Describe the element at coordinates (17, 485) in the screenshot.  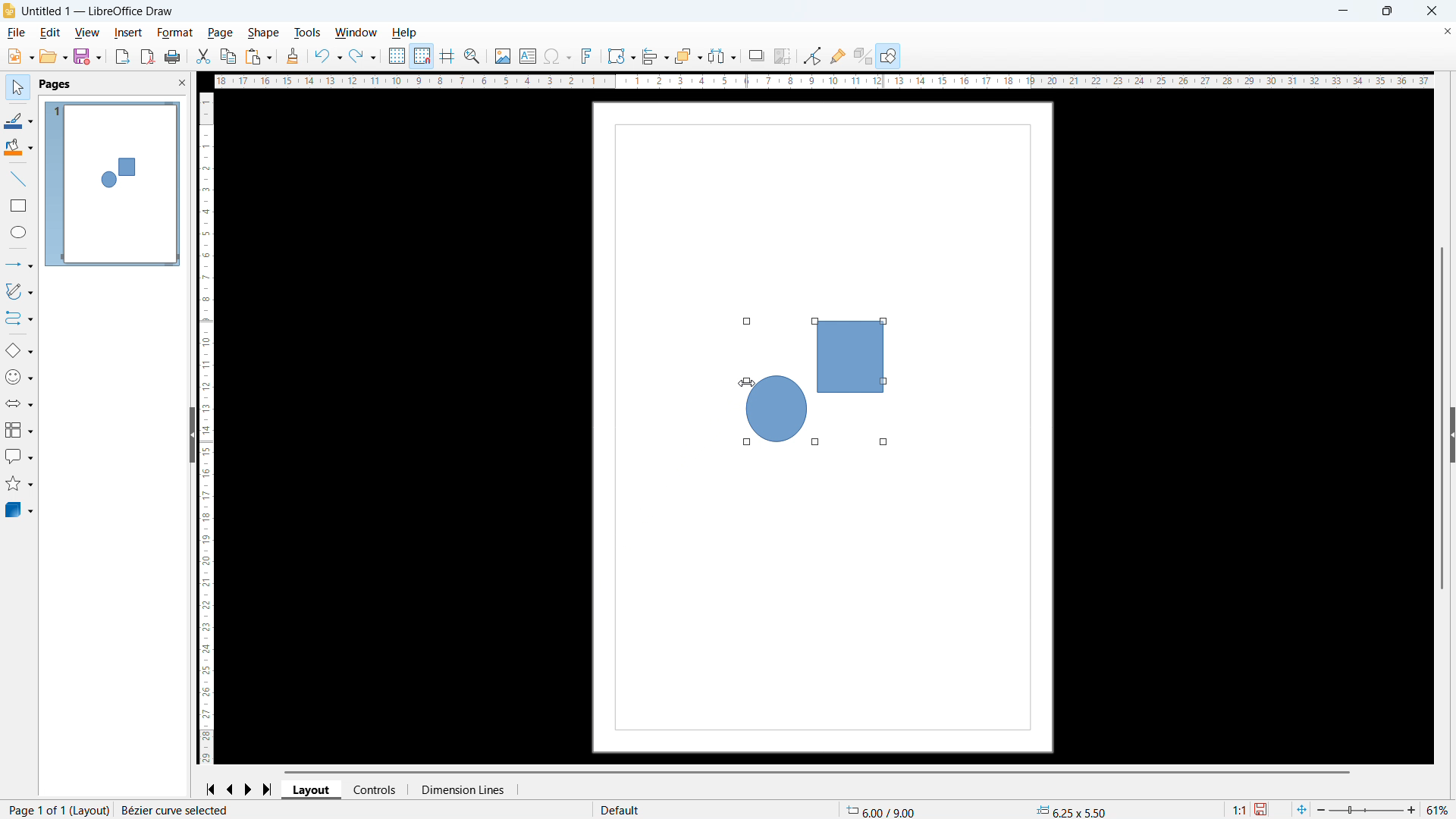
I see `Stars and banners ` at that location.